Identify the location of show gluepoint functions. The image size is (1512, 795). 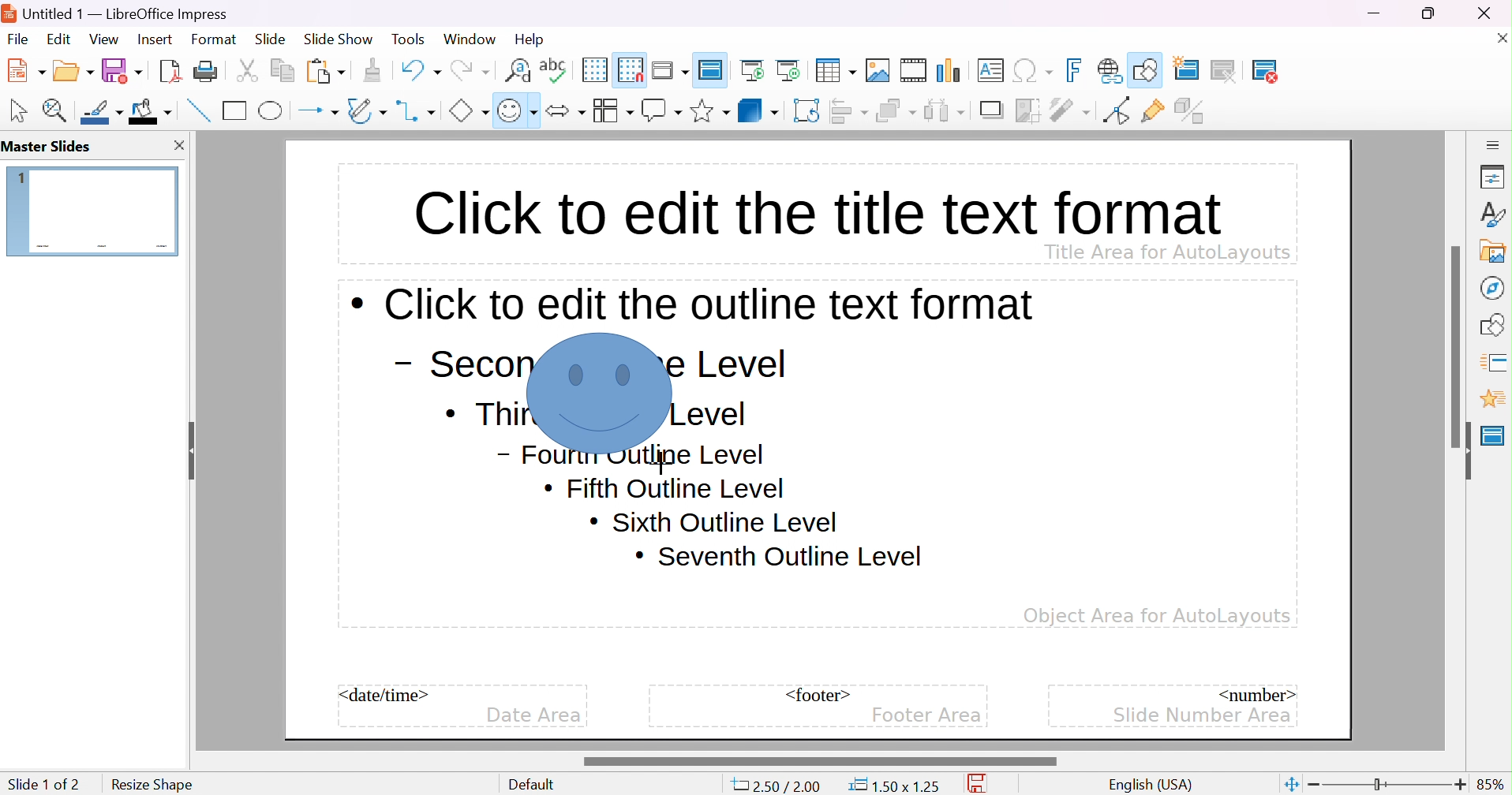
(1153, 111).